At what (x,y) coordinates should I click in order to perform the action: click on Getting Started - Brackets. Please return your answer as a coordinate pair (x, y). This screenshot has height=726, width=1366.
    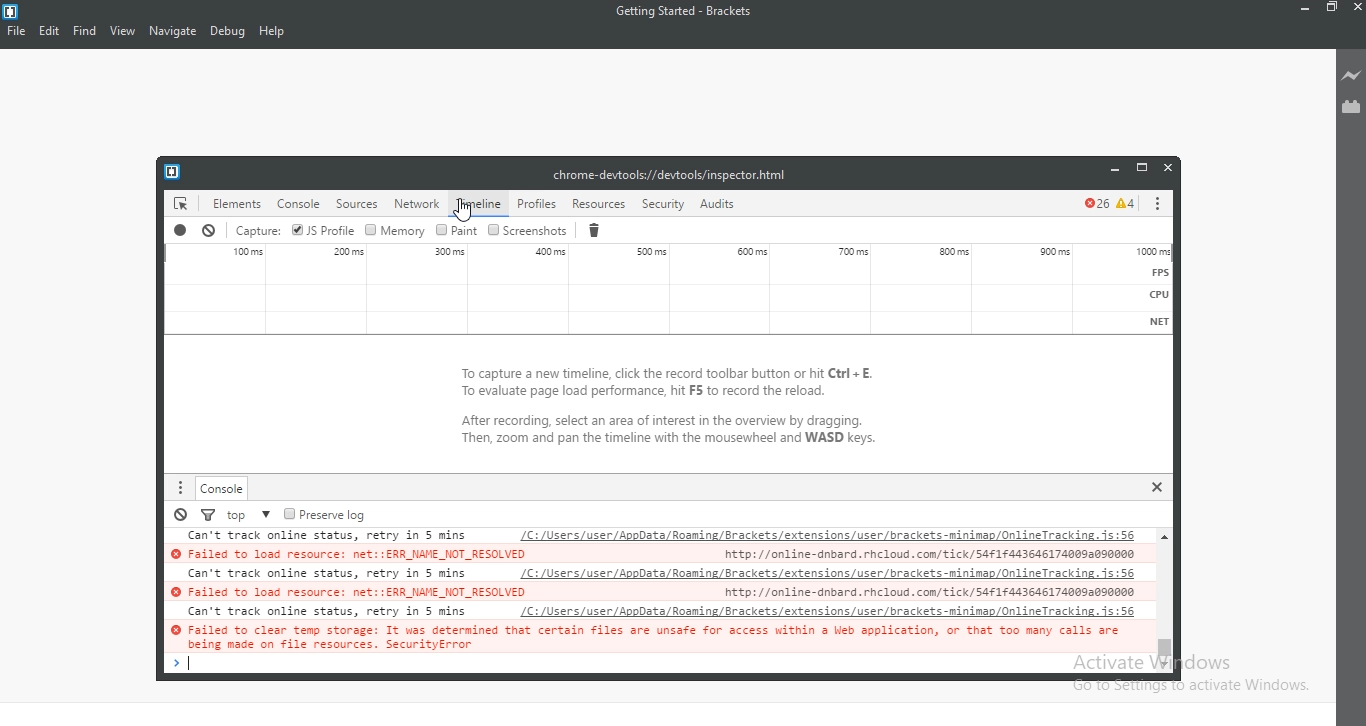
    Looking at the image, I should click on (686, 11).